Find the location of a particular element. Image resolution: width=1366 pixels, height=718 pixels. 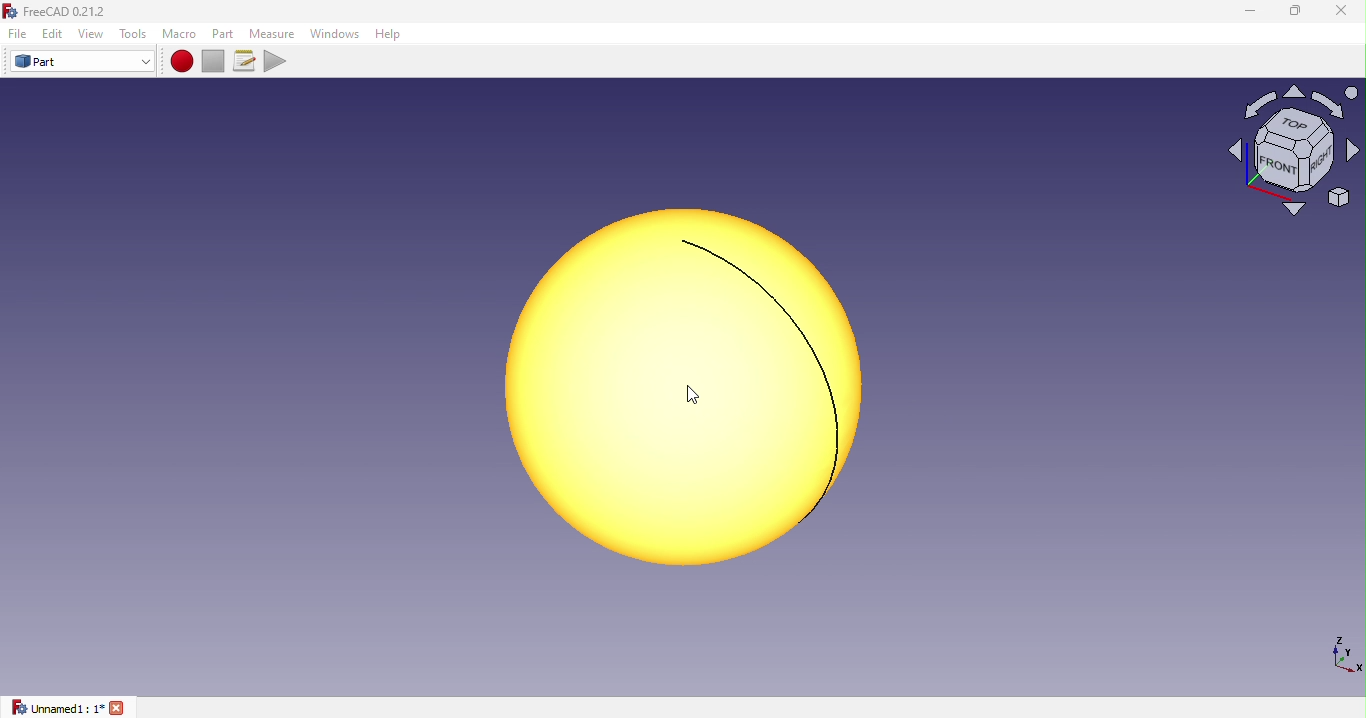

Minimize is located at coordinates (1247, 11).